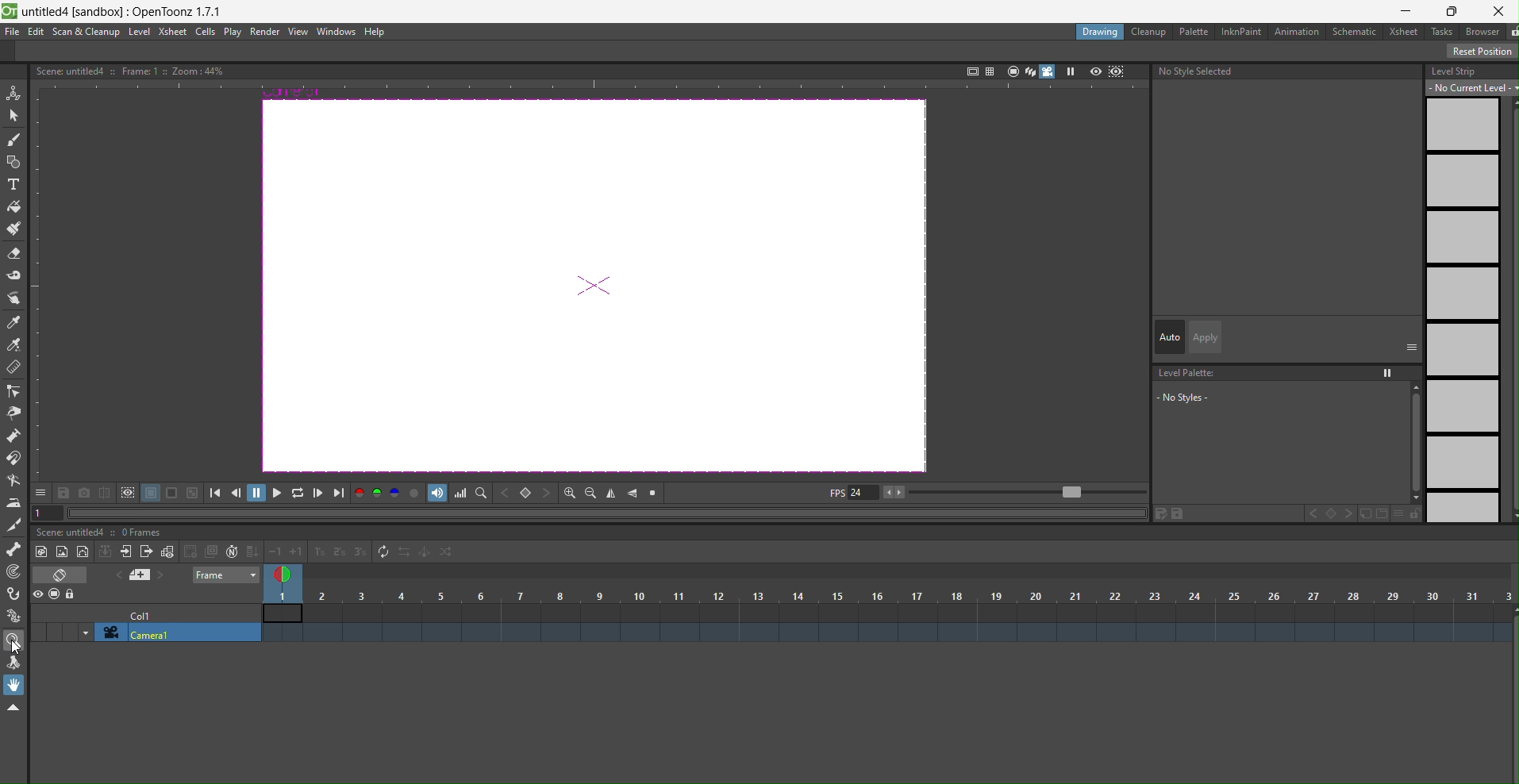  Describe the element at coordinates (40, 551) in the screenshot. I see `raster toonz level` at that location.